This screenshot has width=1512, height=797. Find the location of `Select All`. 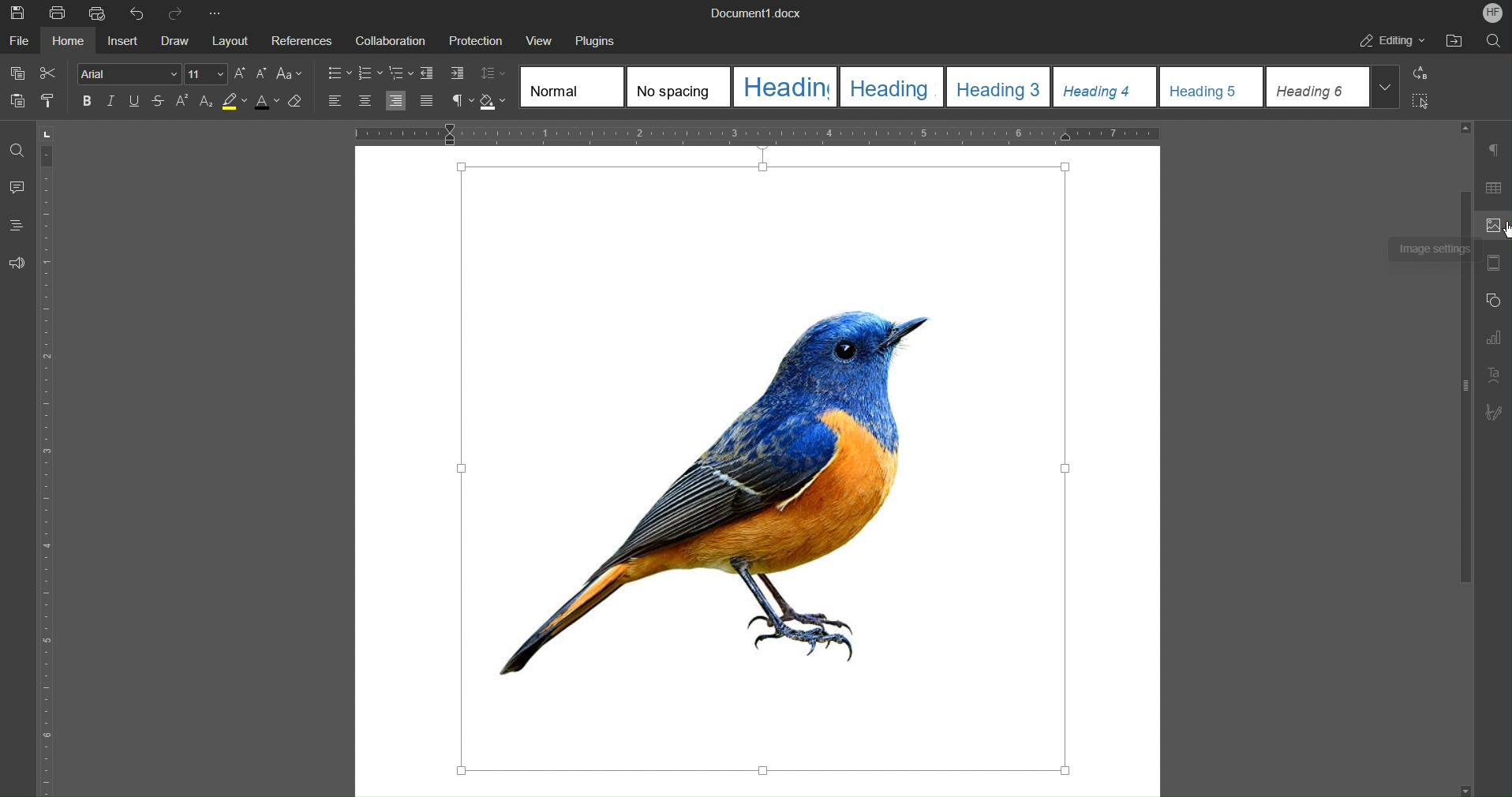

Select All is located at coordinates (1417, 101).